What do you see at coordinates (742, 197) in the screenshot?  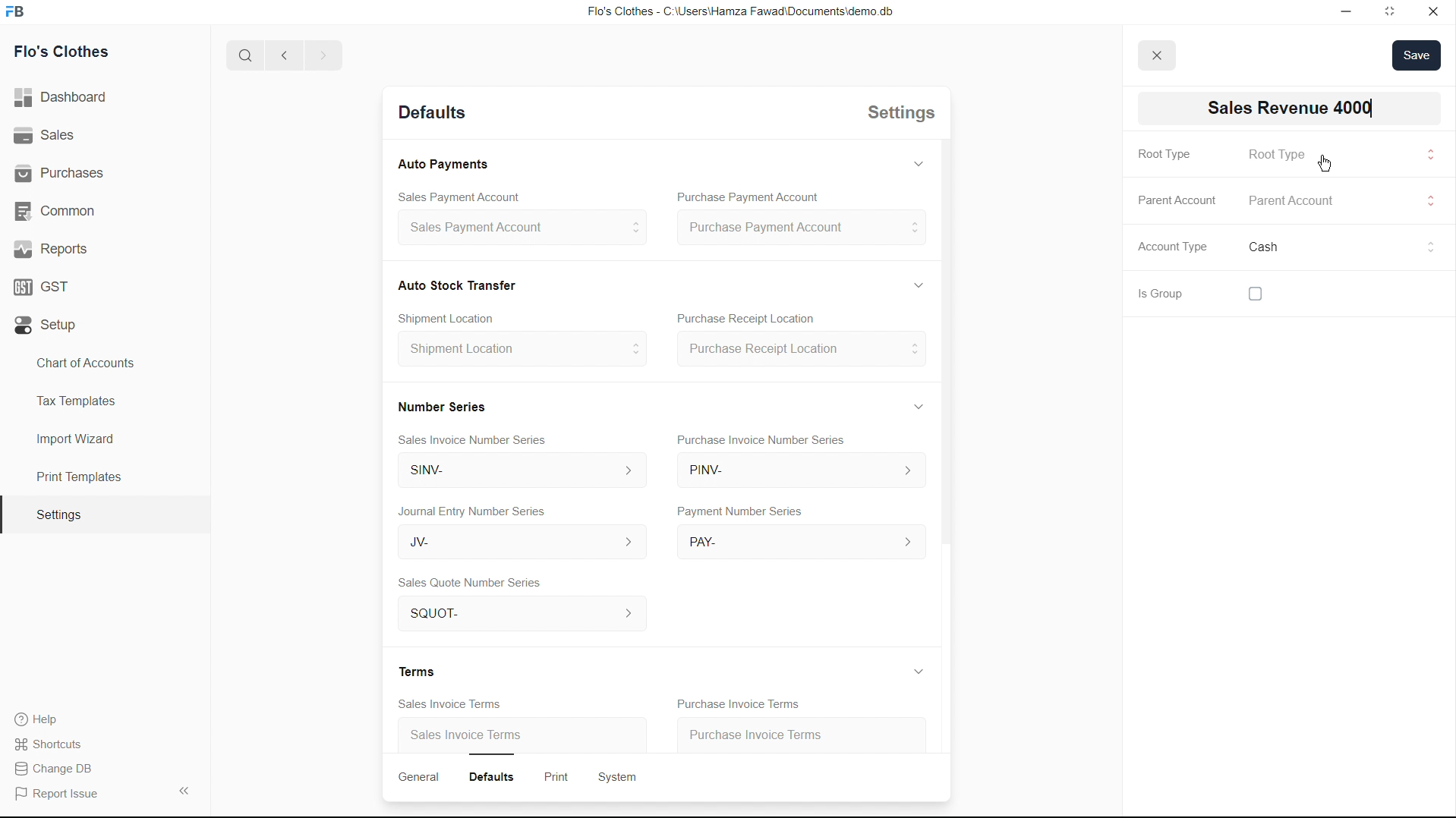 I see `Purchase Payment Account` at bounding box center [742, 197].